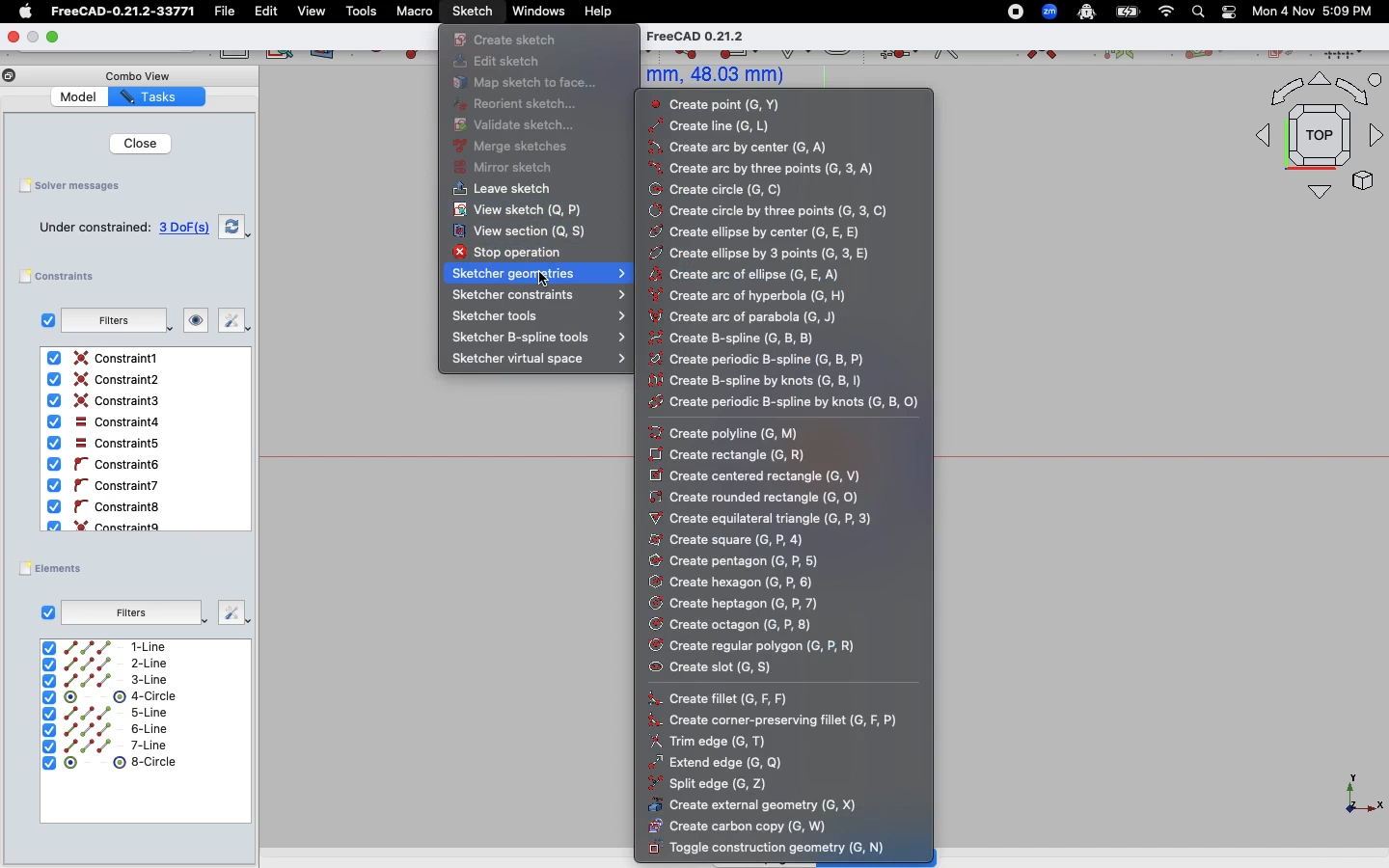  What do you see at coordinates (761, 804) in the screenshot?
I see `Create external geometry` at bounding box center [761, 804].